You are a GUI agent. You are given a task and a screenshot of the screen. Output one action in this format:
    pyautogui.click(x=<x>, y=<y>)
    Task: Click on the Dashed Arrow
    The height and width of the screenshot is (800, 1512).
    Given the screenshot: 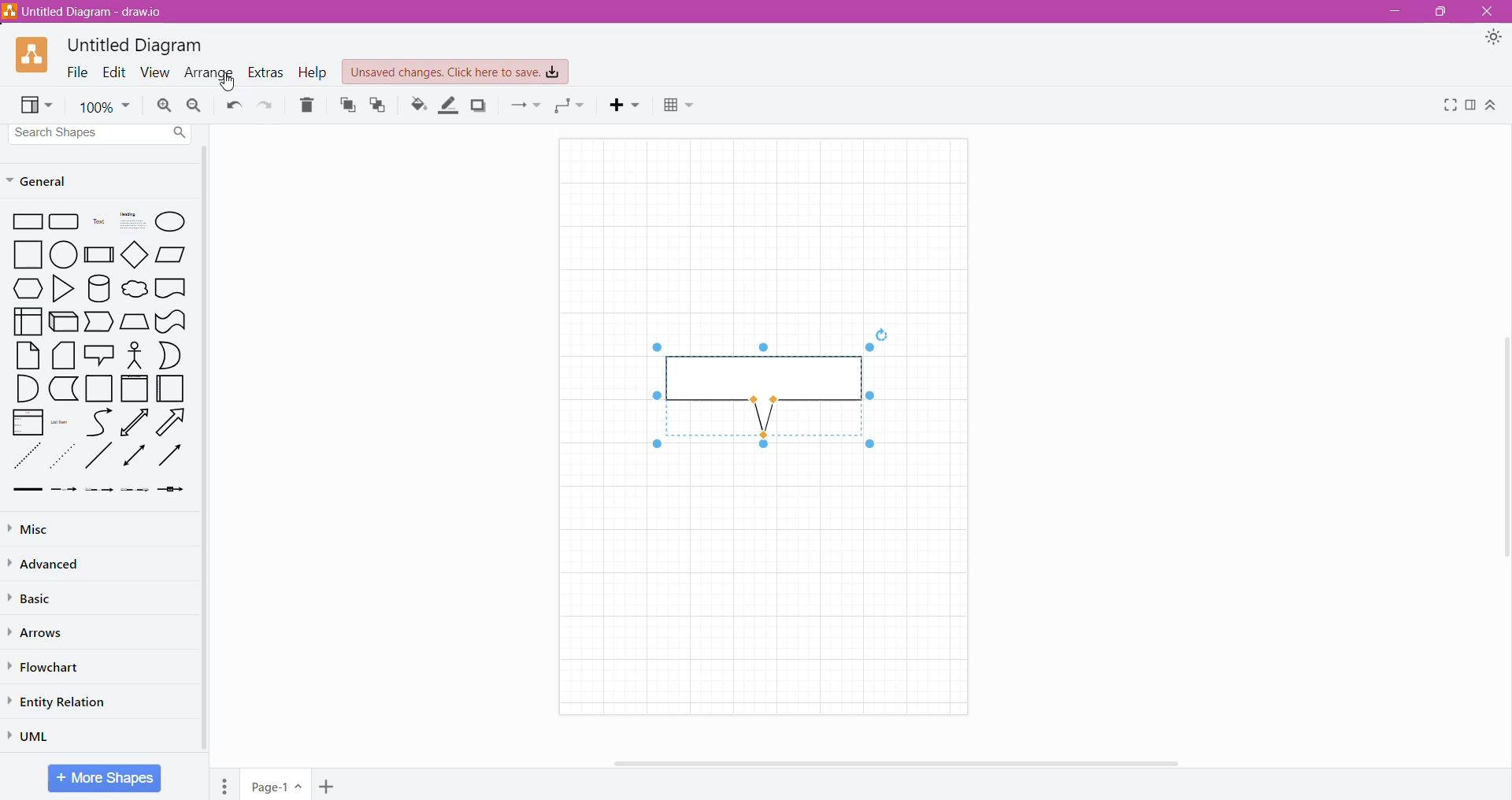 What is the action you would take?
    pyautogui.click(x=64, y=491)
    